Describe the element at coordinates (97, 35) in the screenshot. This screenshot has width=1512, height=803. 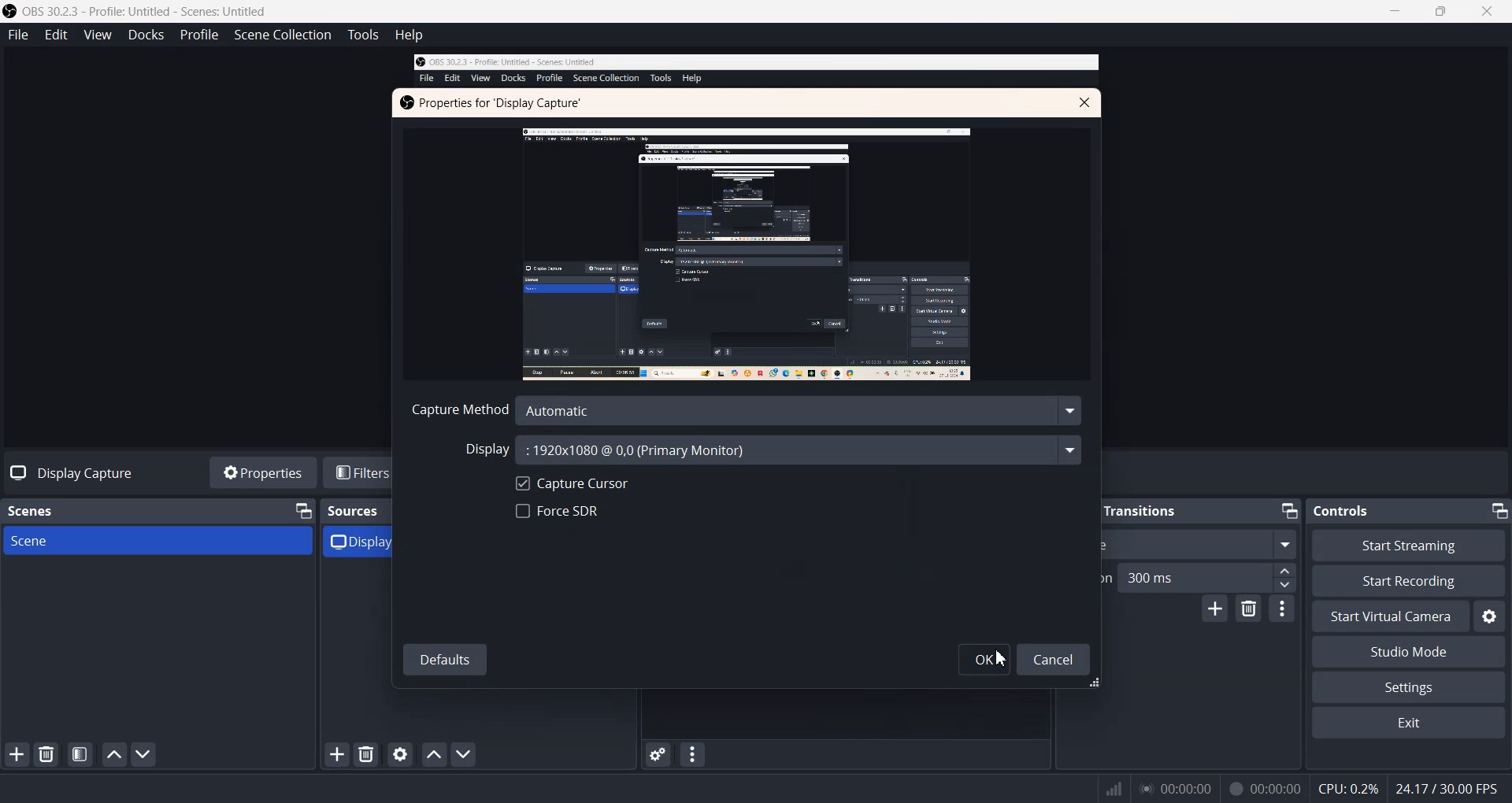
I see `View` at that location.